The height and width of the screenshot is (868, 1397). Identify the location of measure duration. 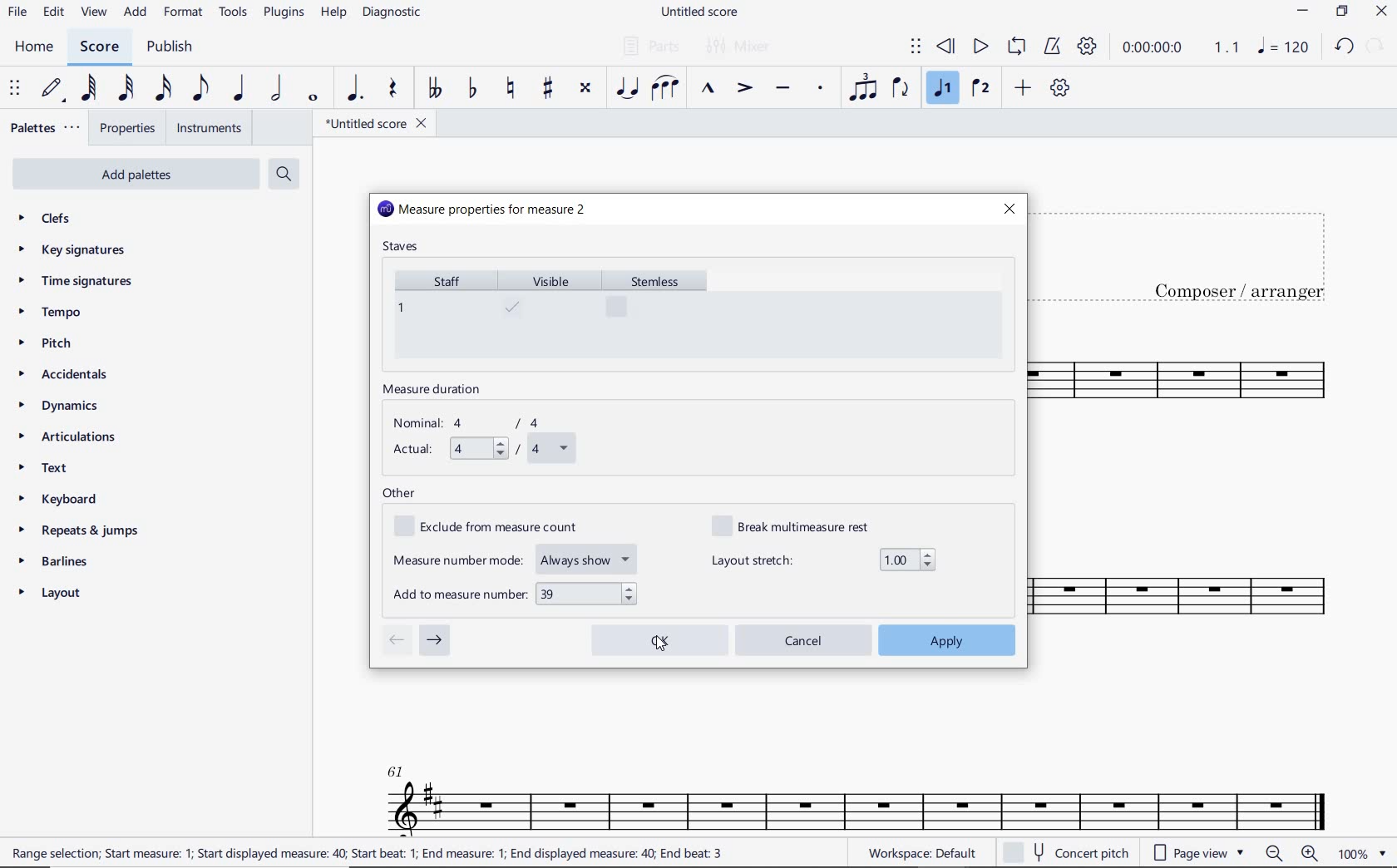
(437, 391).